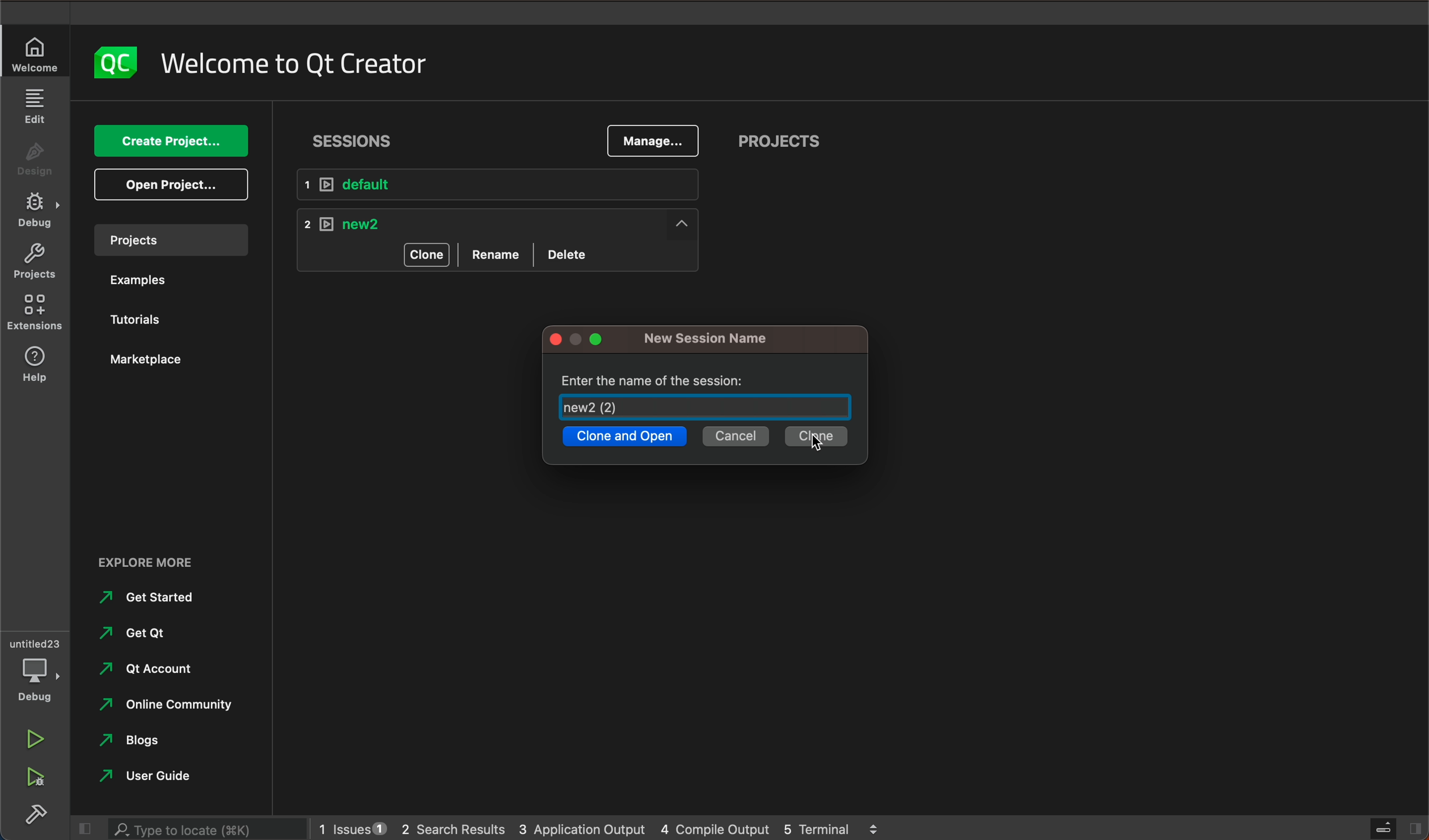 Image resolution: width=1429 pixels, height=840 pixels. What do you see at coordinates (708, 380) in the screenshot?
I see `enter the name of the session` at bounding box center [708, 380].